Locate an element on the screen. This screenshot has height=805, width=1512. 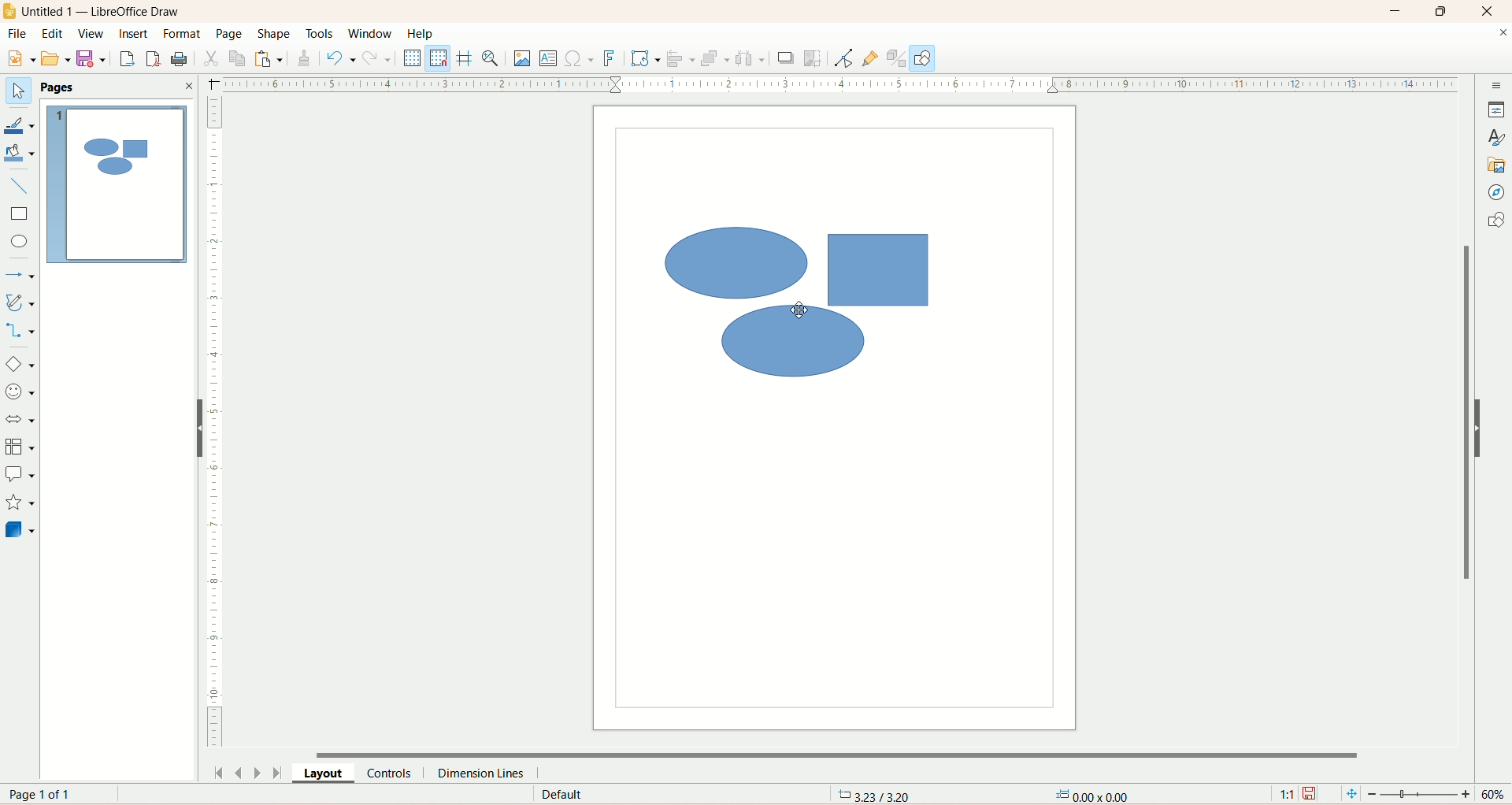
gallery is located at coordinates (1498, 165).